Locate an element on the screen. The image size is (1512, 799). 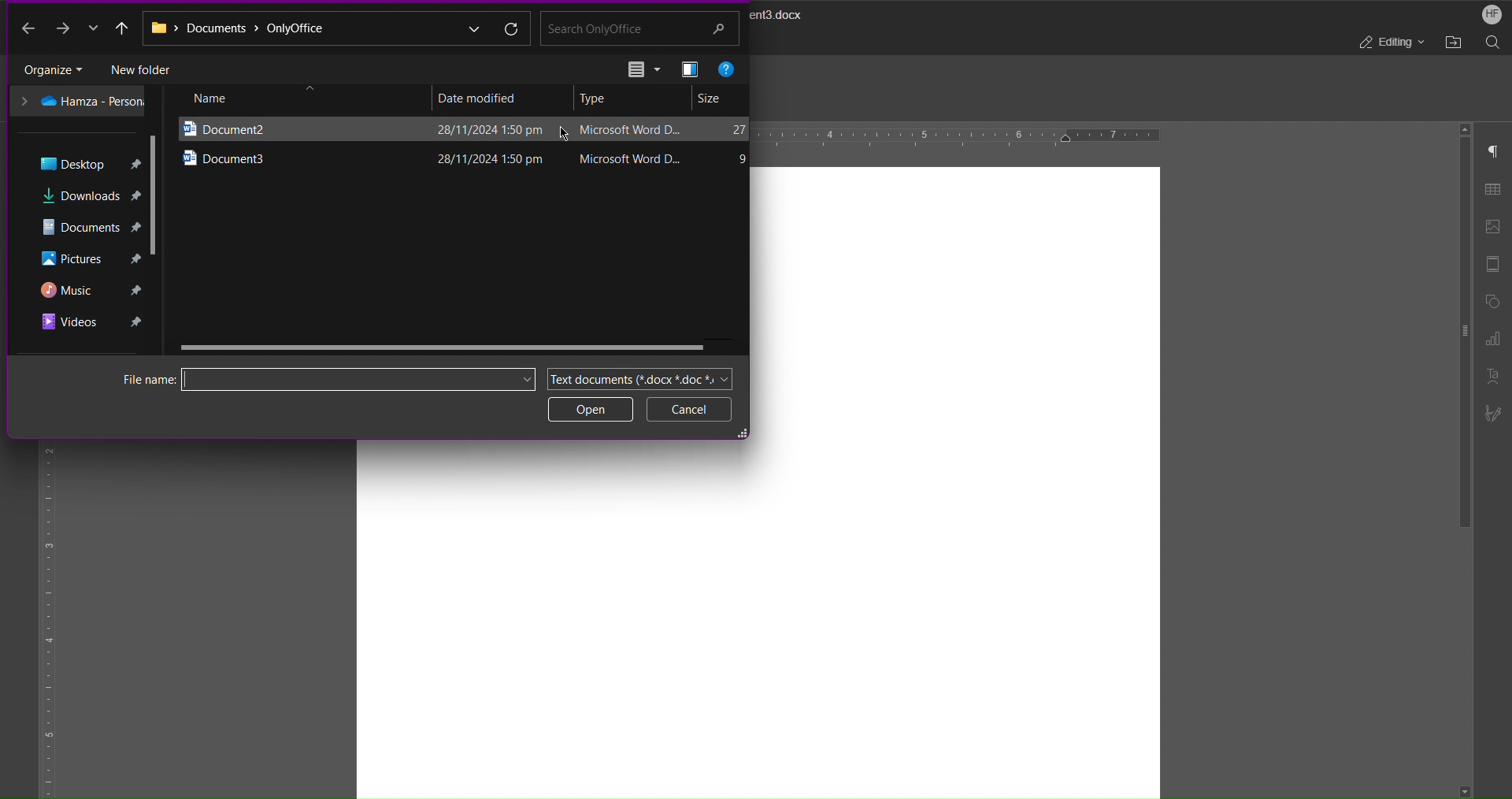
Microsoft word D... is located at coordinates (632, 154).